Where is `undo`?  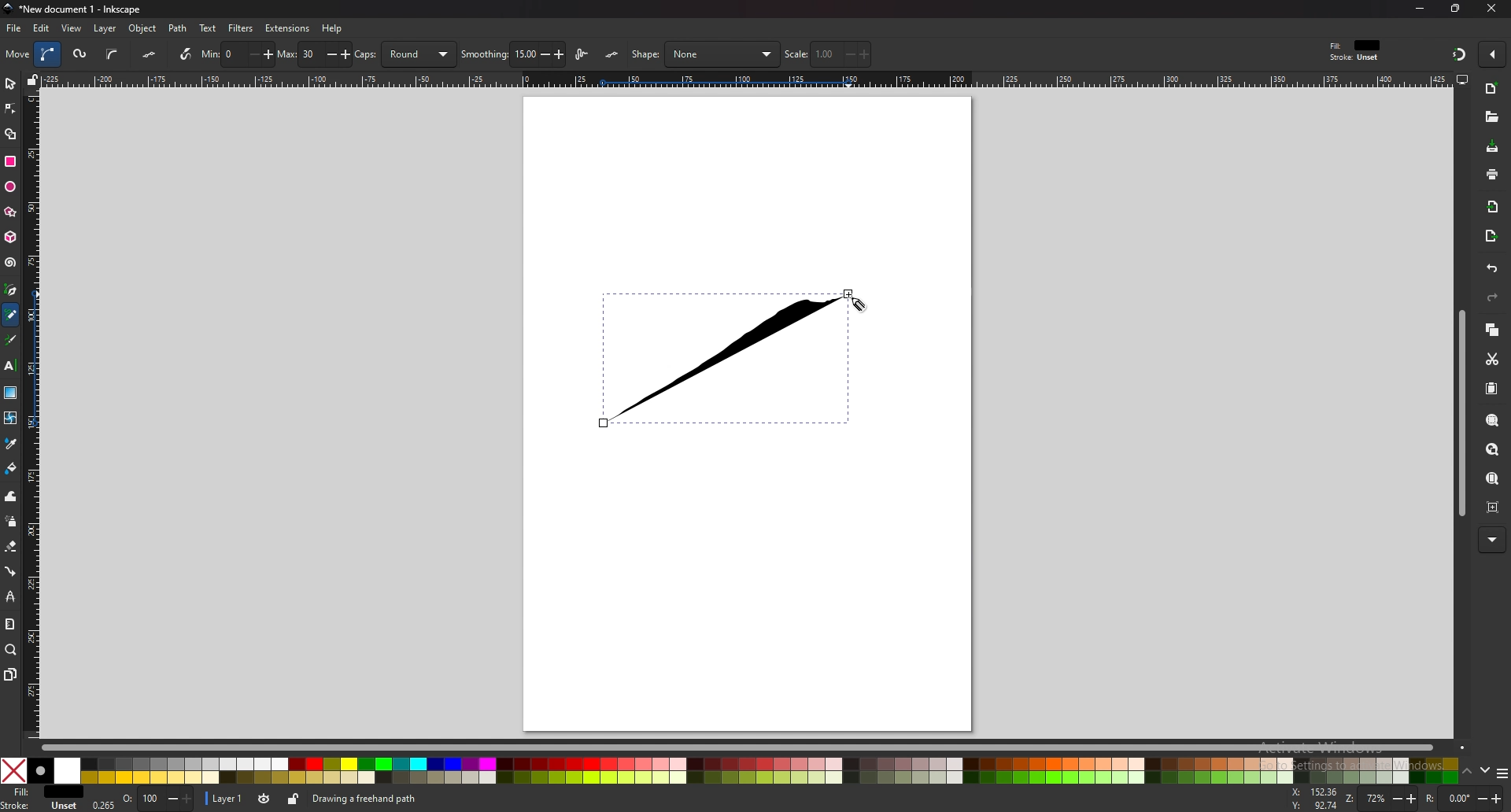
undo is located at coordinates (1492, 270).